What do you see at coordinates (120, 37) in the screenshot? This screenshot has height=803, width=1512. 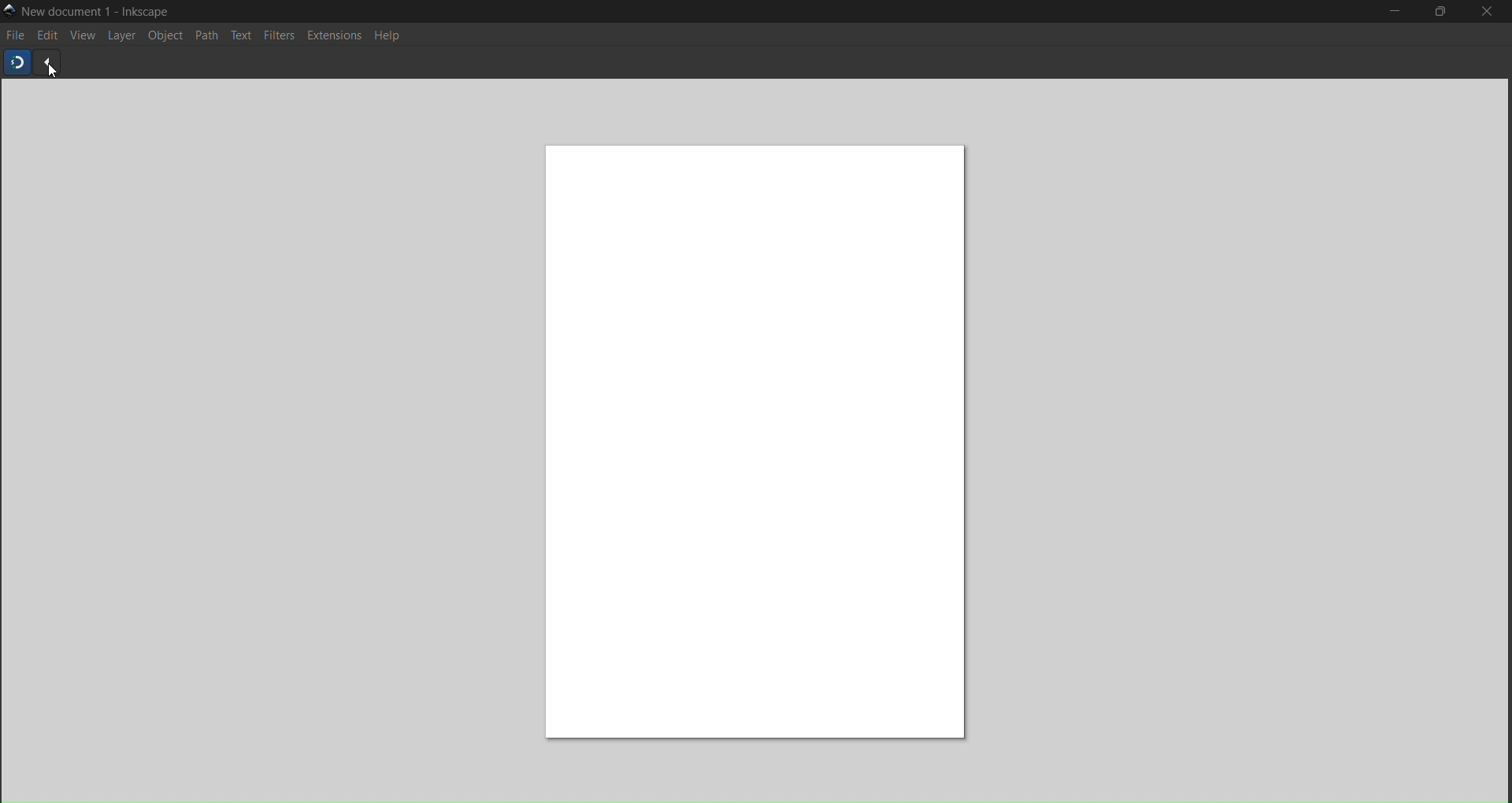 I see `layer` at bounding box center [120, 37].